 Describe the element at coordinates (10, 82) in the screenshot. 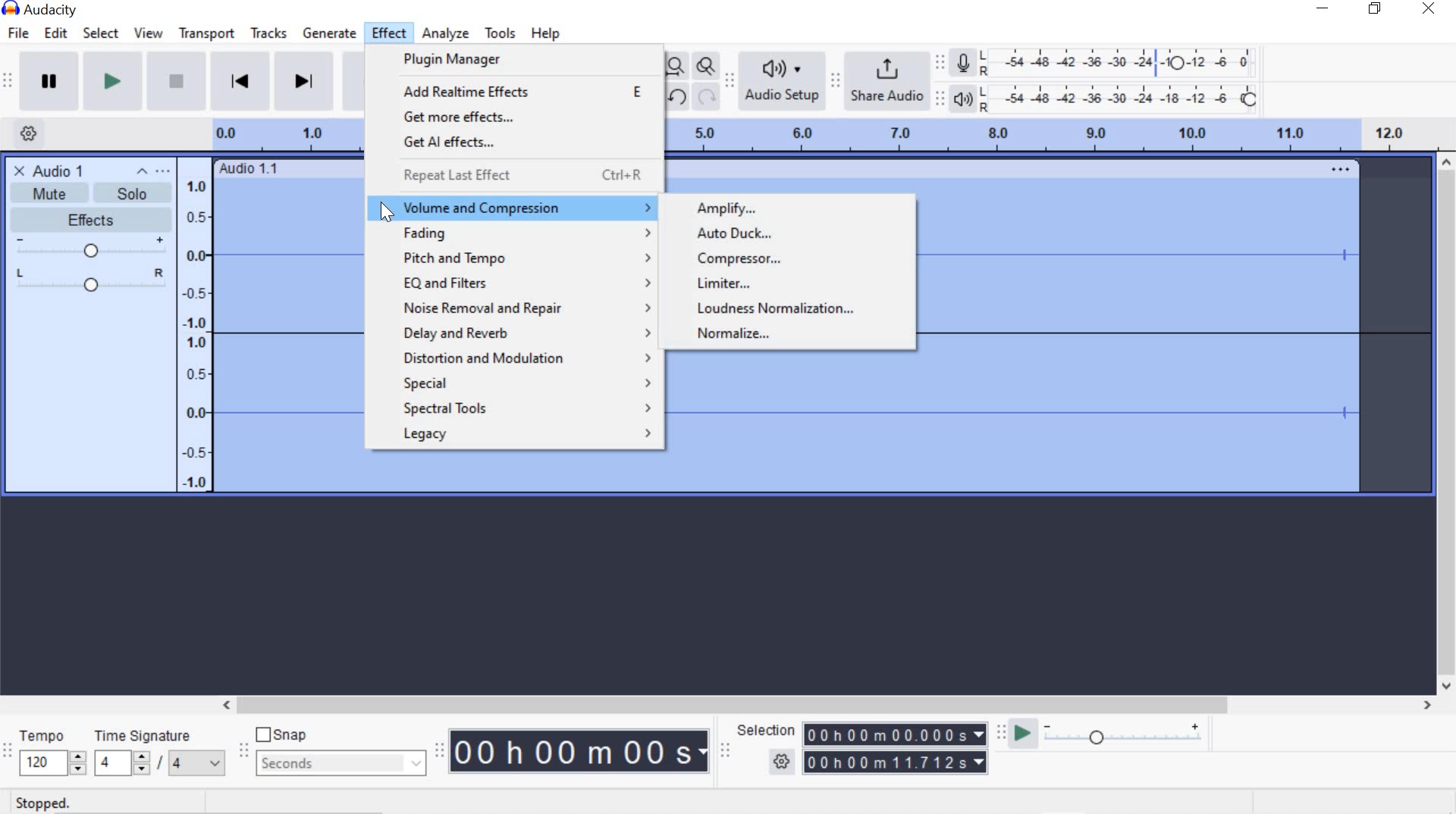

I see `Transport Toolbar` at that location.